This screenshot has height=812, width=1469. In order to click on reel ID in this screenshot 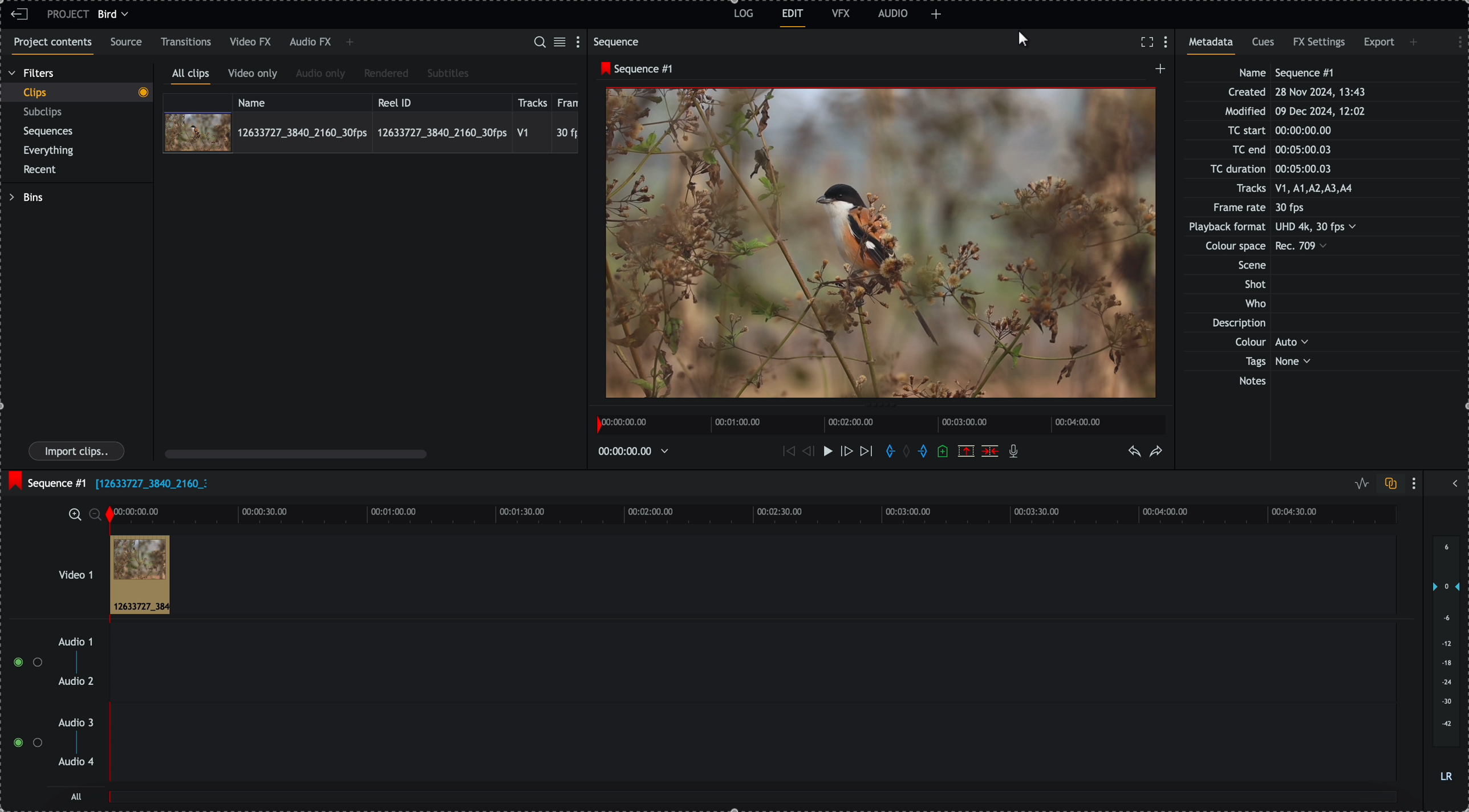, I will do `click(441, 100)`.